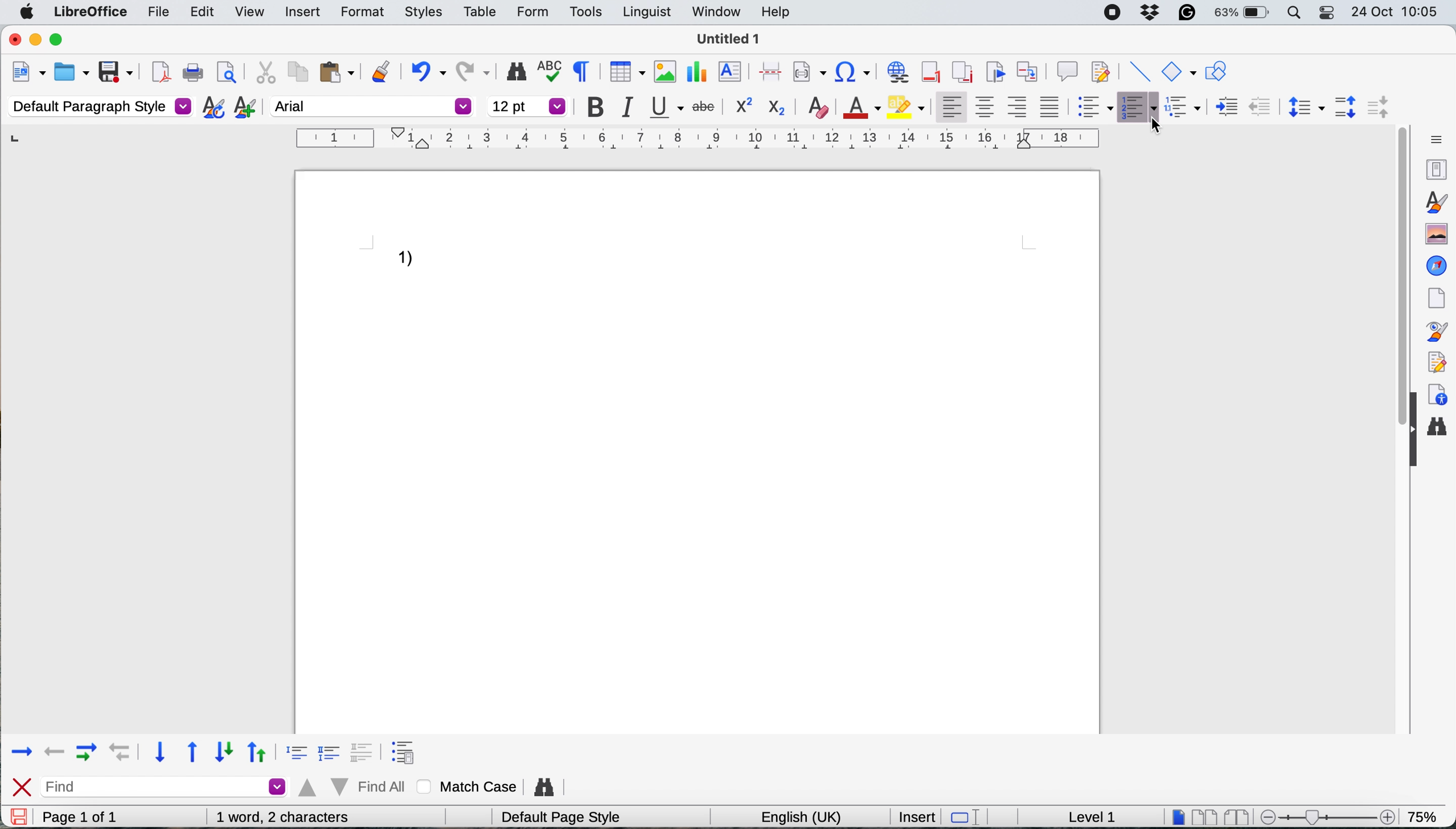 The width and height of the screenshot is (1456, 829). Describe the element at coordinates (372, 106) in the screenshot. I see `font` at that location.